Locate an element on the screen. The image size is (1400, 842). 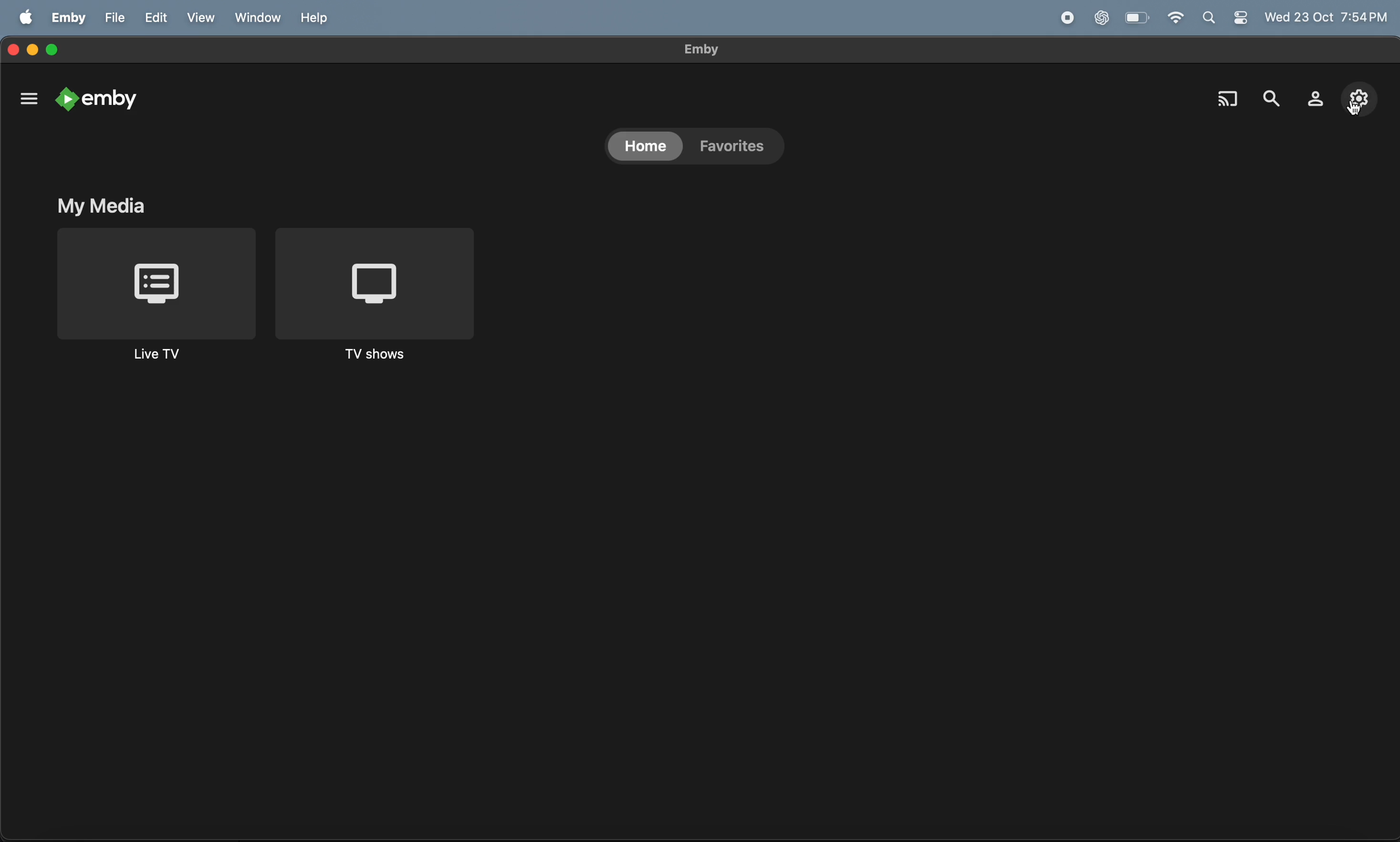
tv shows is located at coordinates (373, 299).